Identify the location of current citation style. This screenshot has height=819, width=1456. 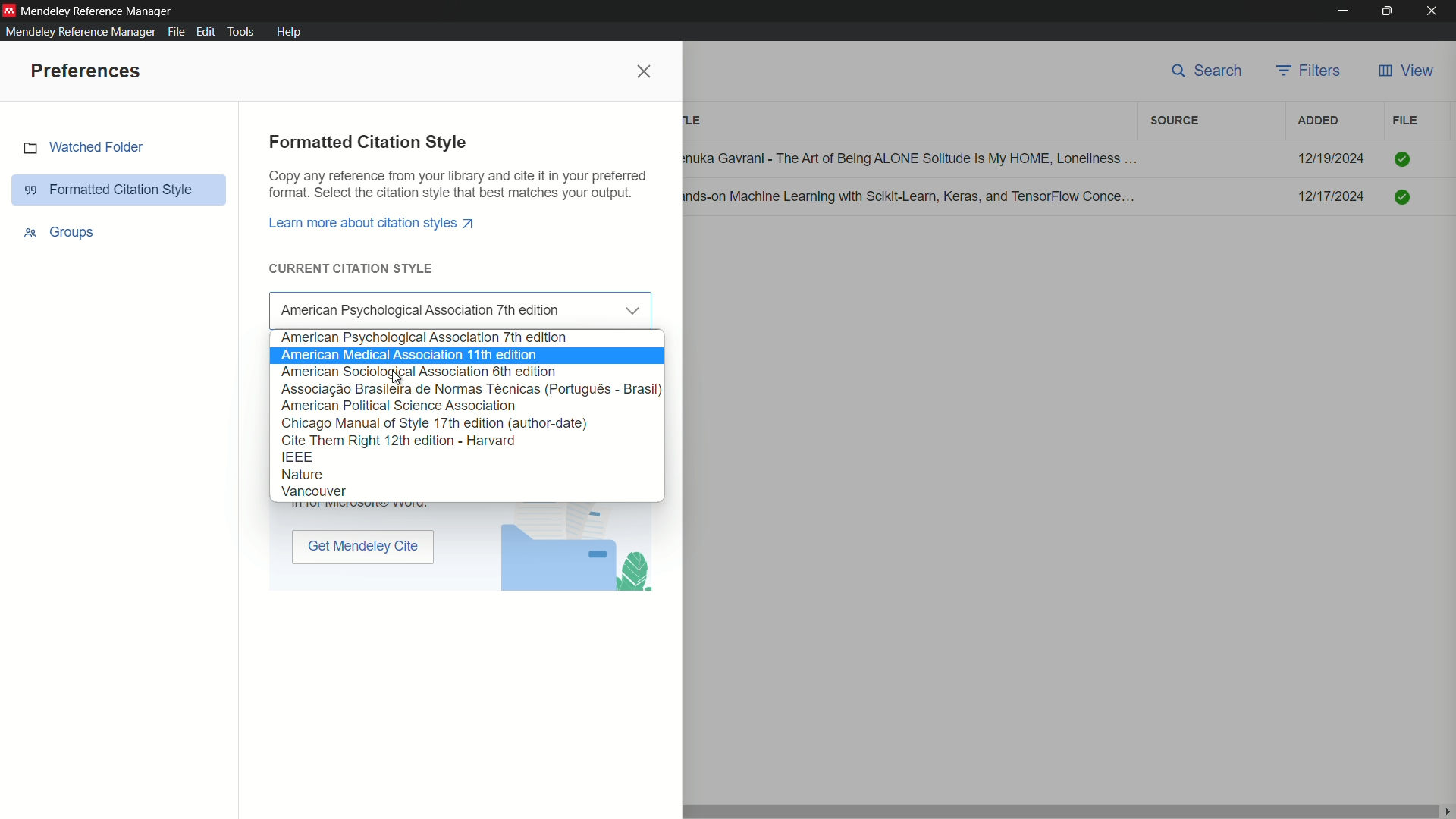
(352, 268).